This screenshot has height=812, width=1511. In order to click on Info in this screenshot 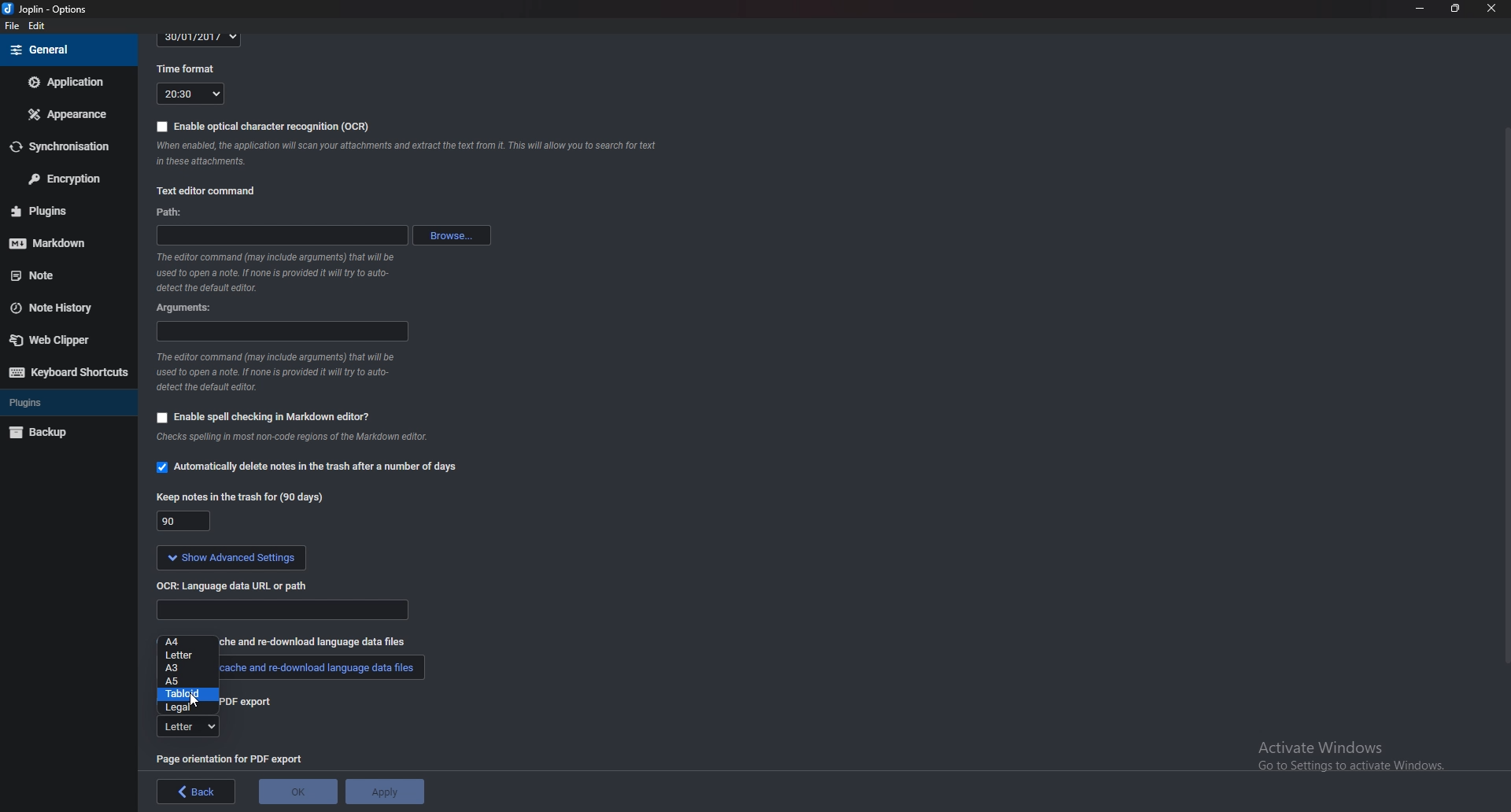, I will do `click(413, 157)`.